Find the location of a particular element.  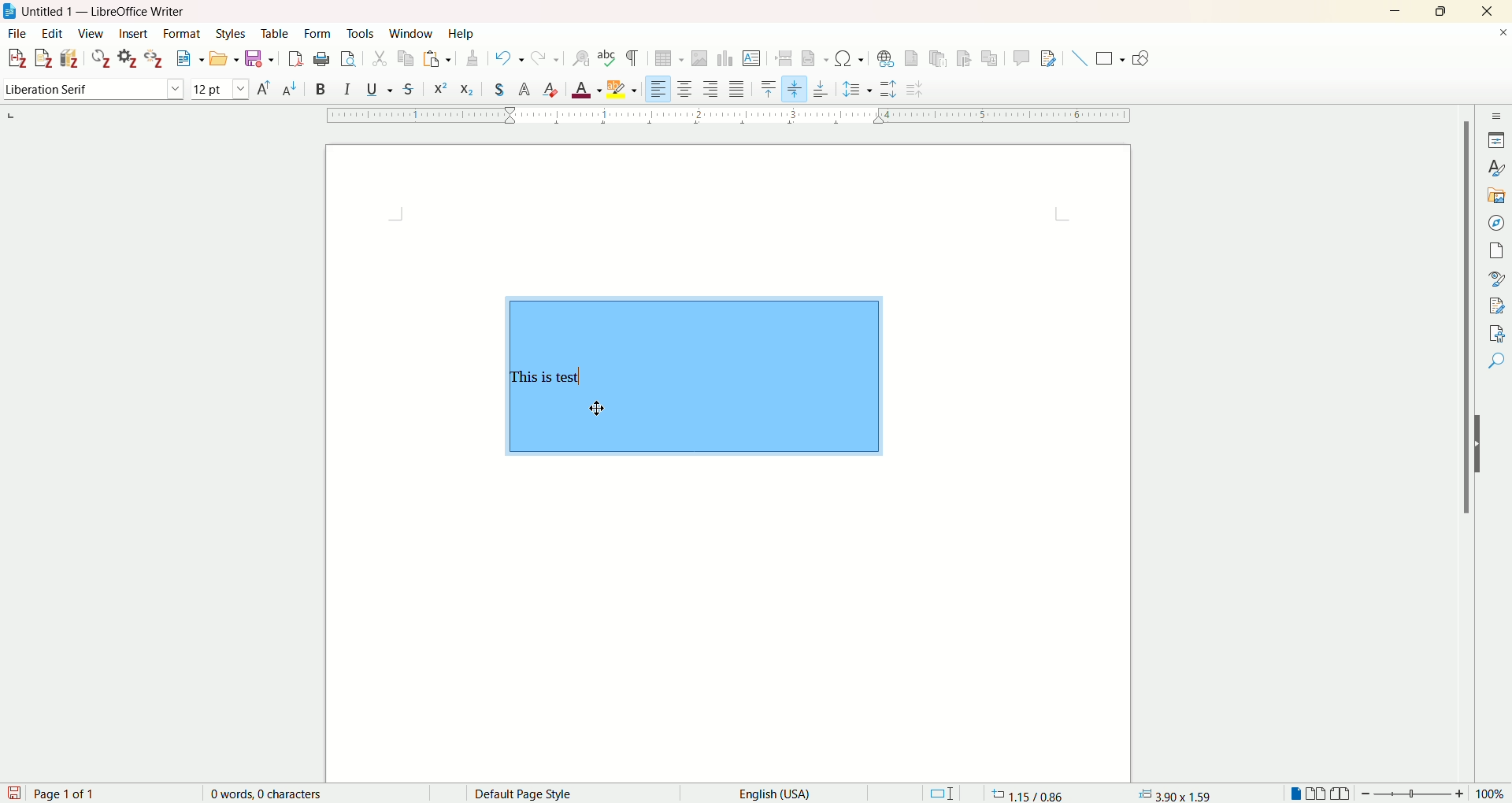

insert cross-references is located at coordinates (991, 58).